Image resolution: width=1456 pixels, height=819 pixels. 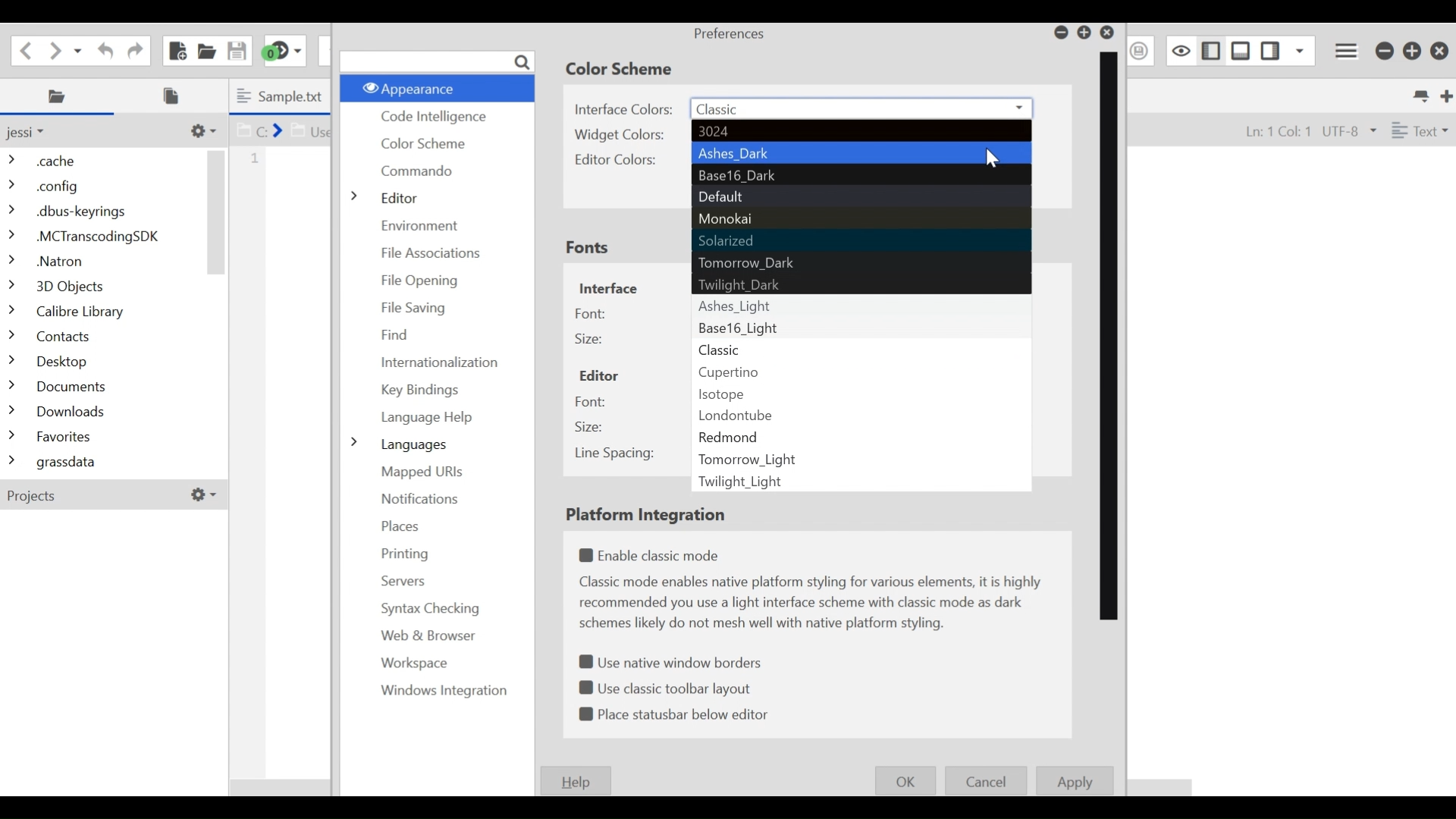 I want to click on search, so click(x=437, y=61).